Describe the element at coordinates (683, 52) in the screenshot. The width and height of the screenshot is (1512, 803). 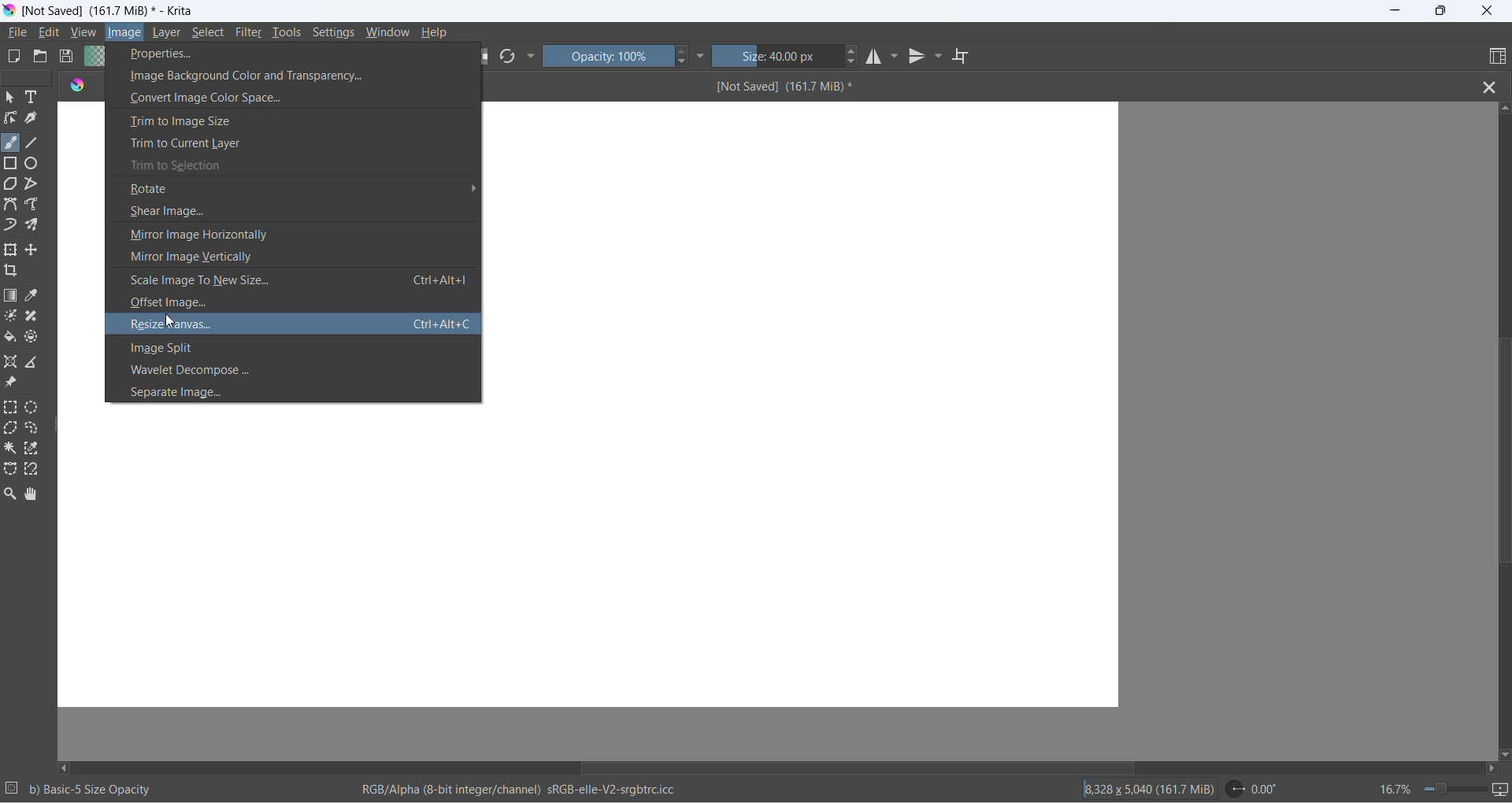
I see `increment opacity` at that location.